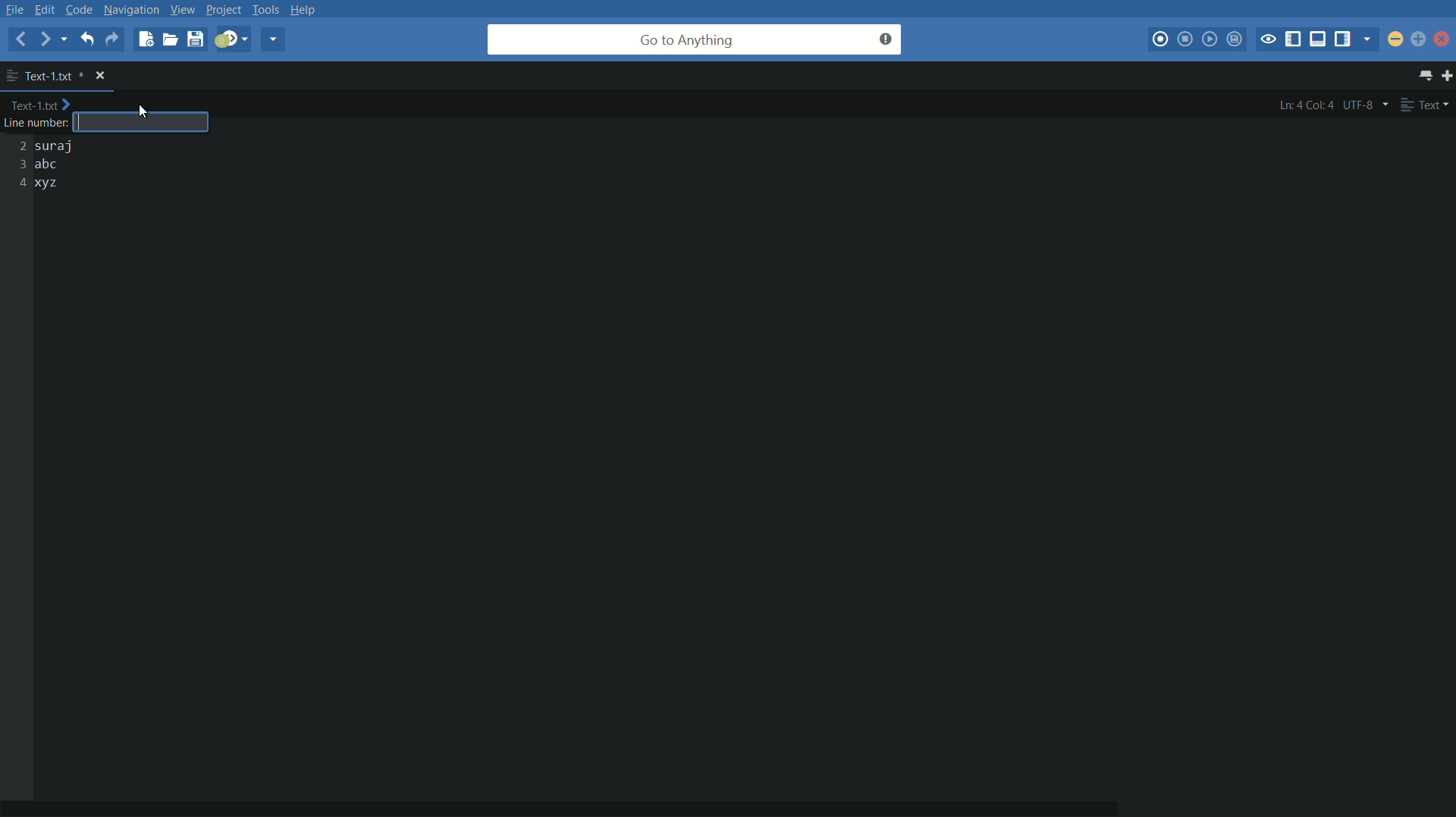 The height and width of the screenshot is (817, 1456). What do you see at coordinates (144, 39) in the screenshot?
I see `new file` at bounding box center [144, 39].